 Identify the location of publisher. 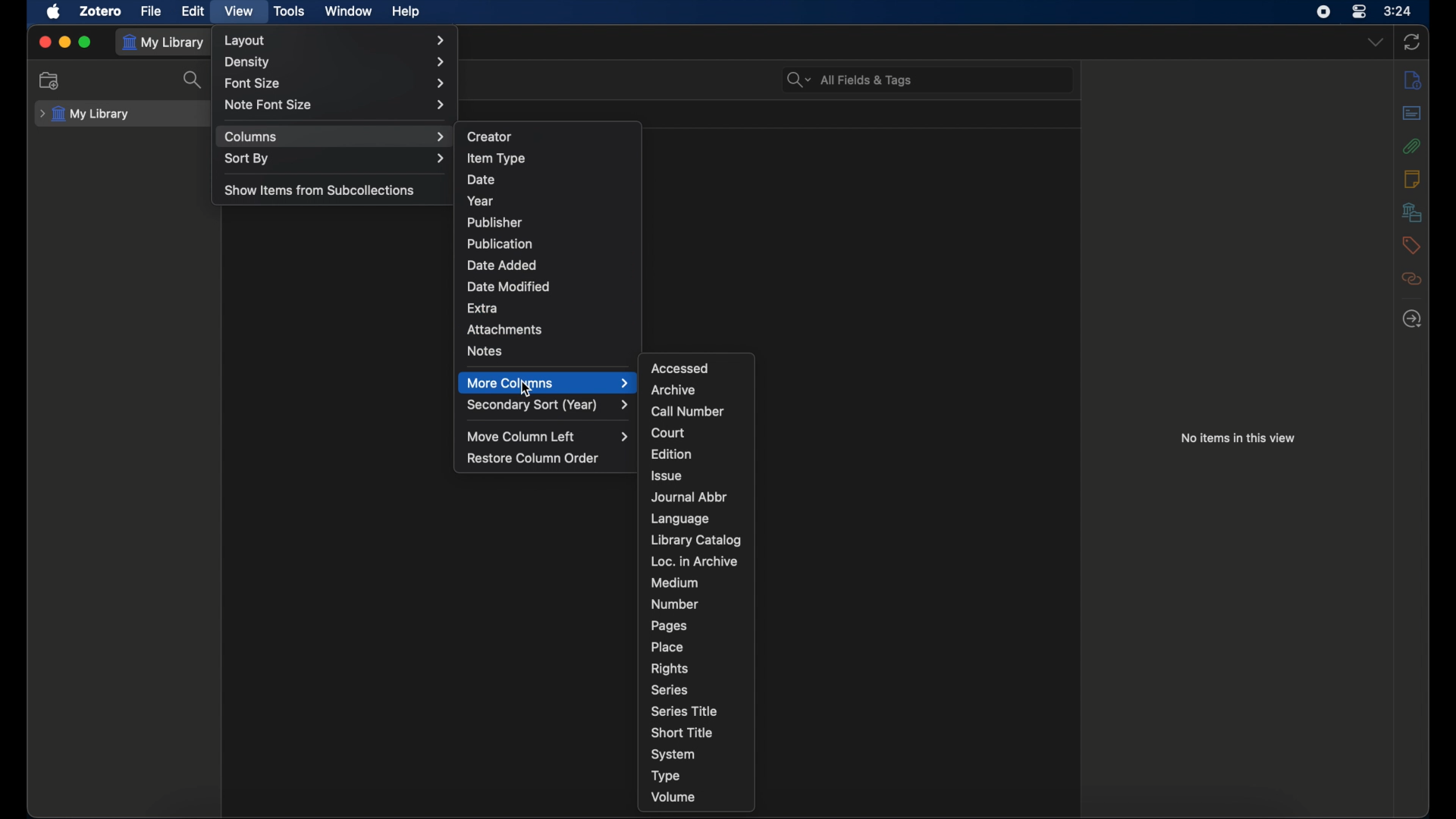
(495, 222).